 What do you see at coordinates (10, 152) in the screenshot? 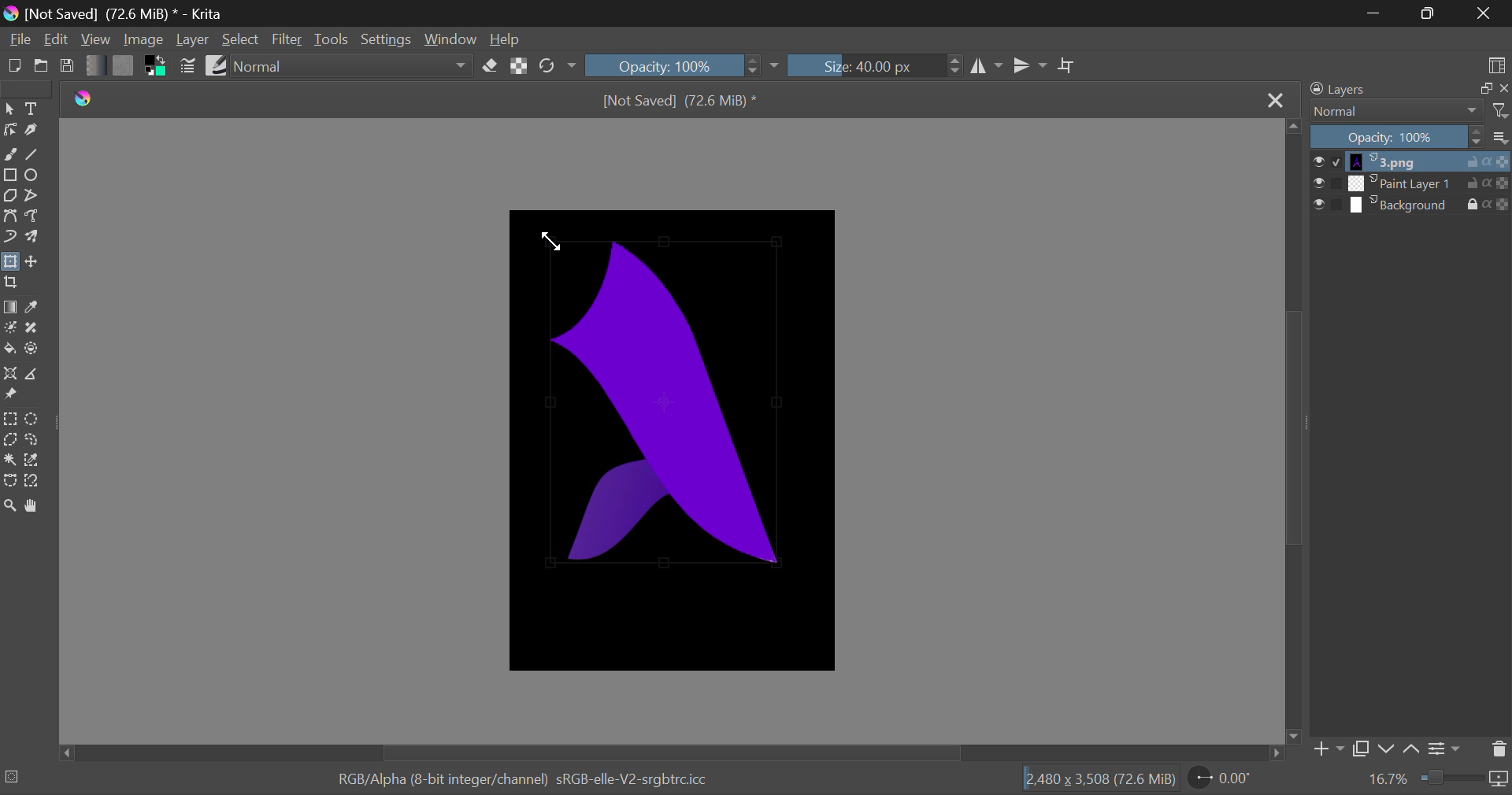
I see `Freehand` at bounding box center [10, 152].